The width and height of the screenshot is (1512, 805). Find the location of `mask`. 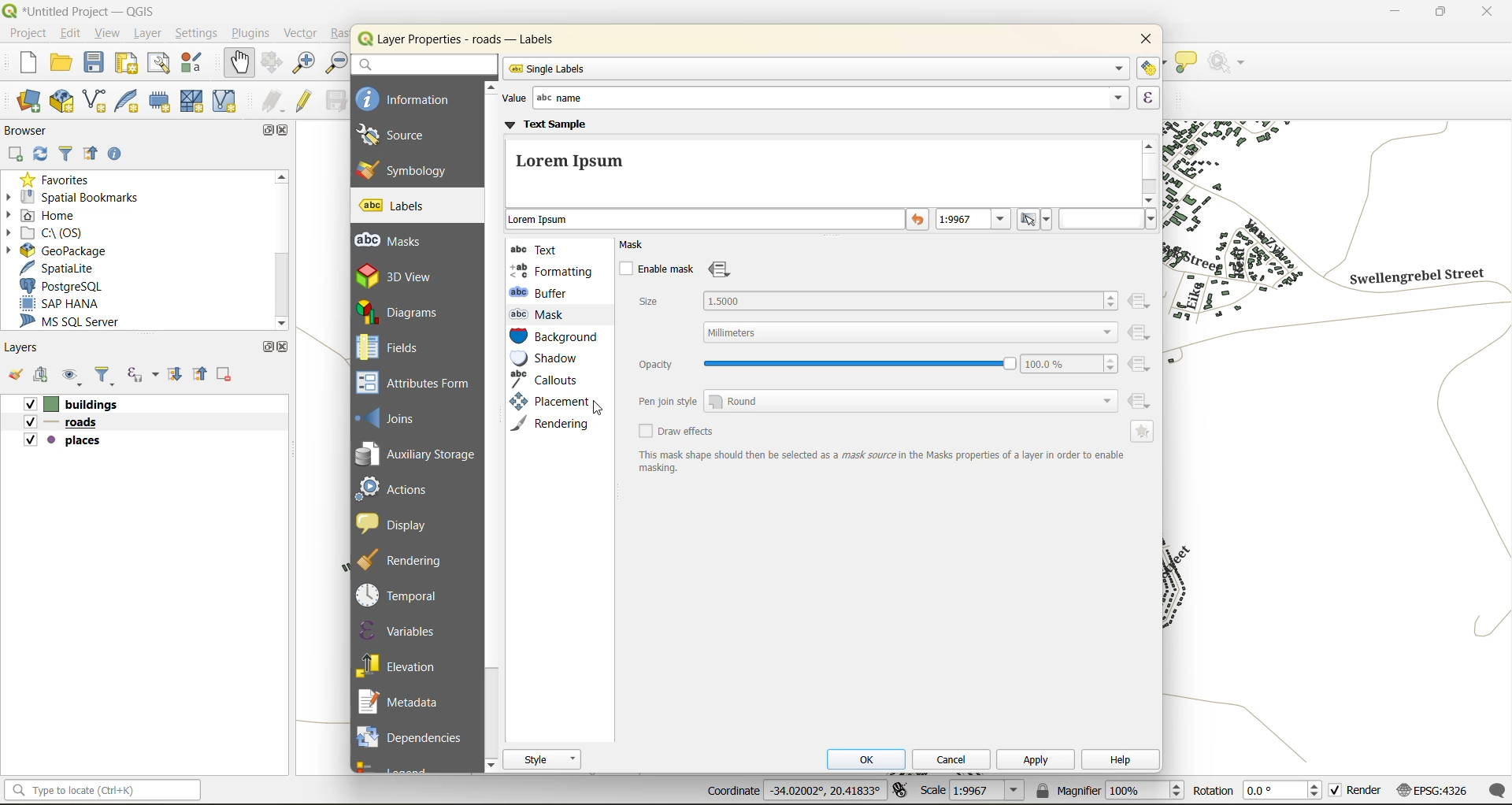

mask is located at coordinates (542, 314).